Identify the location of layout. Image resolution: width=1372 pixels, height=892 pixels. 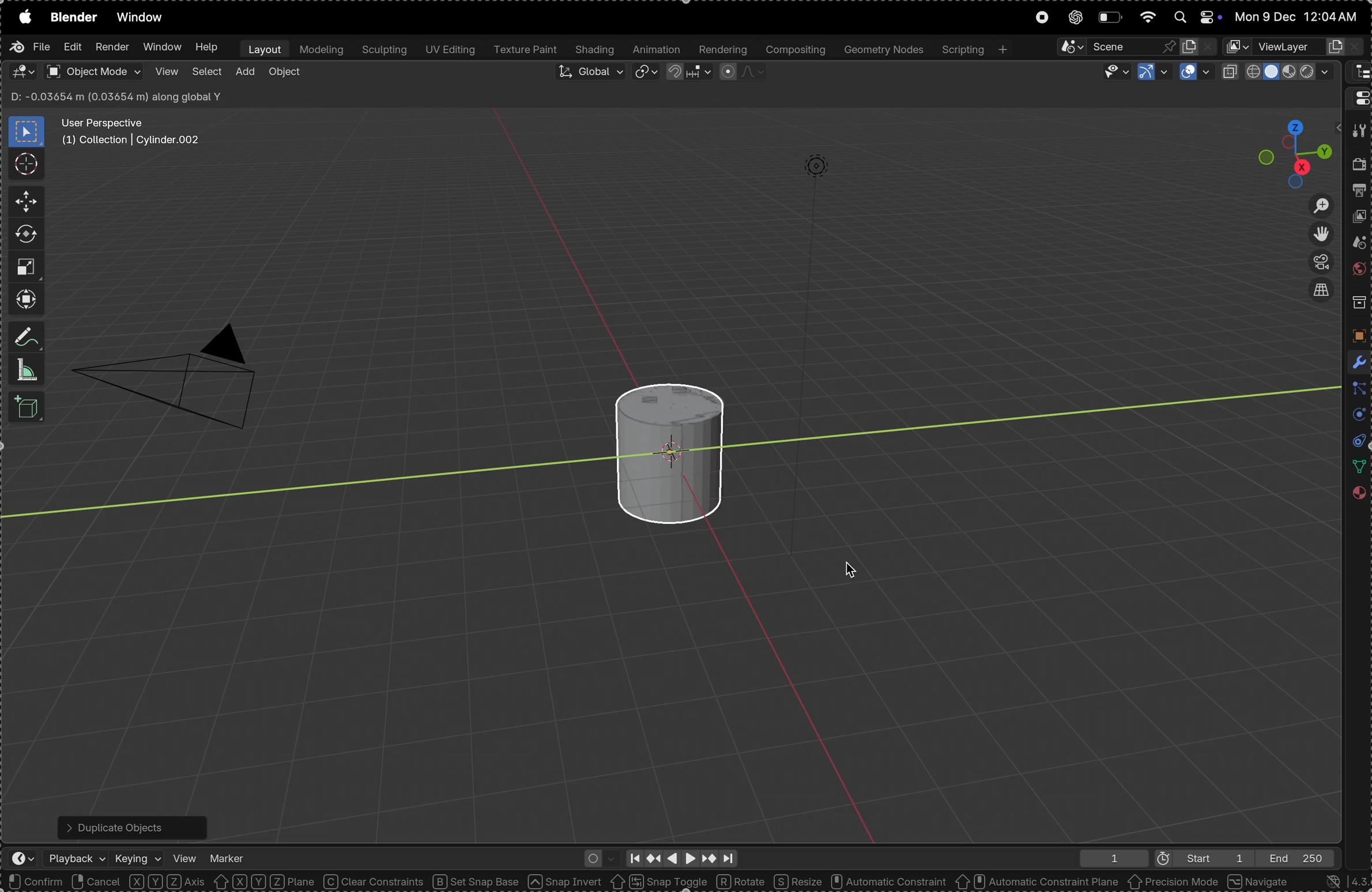
(262, 48).